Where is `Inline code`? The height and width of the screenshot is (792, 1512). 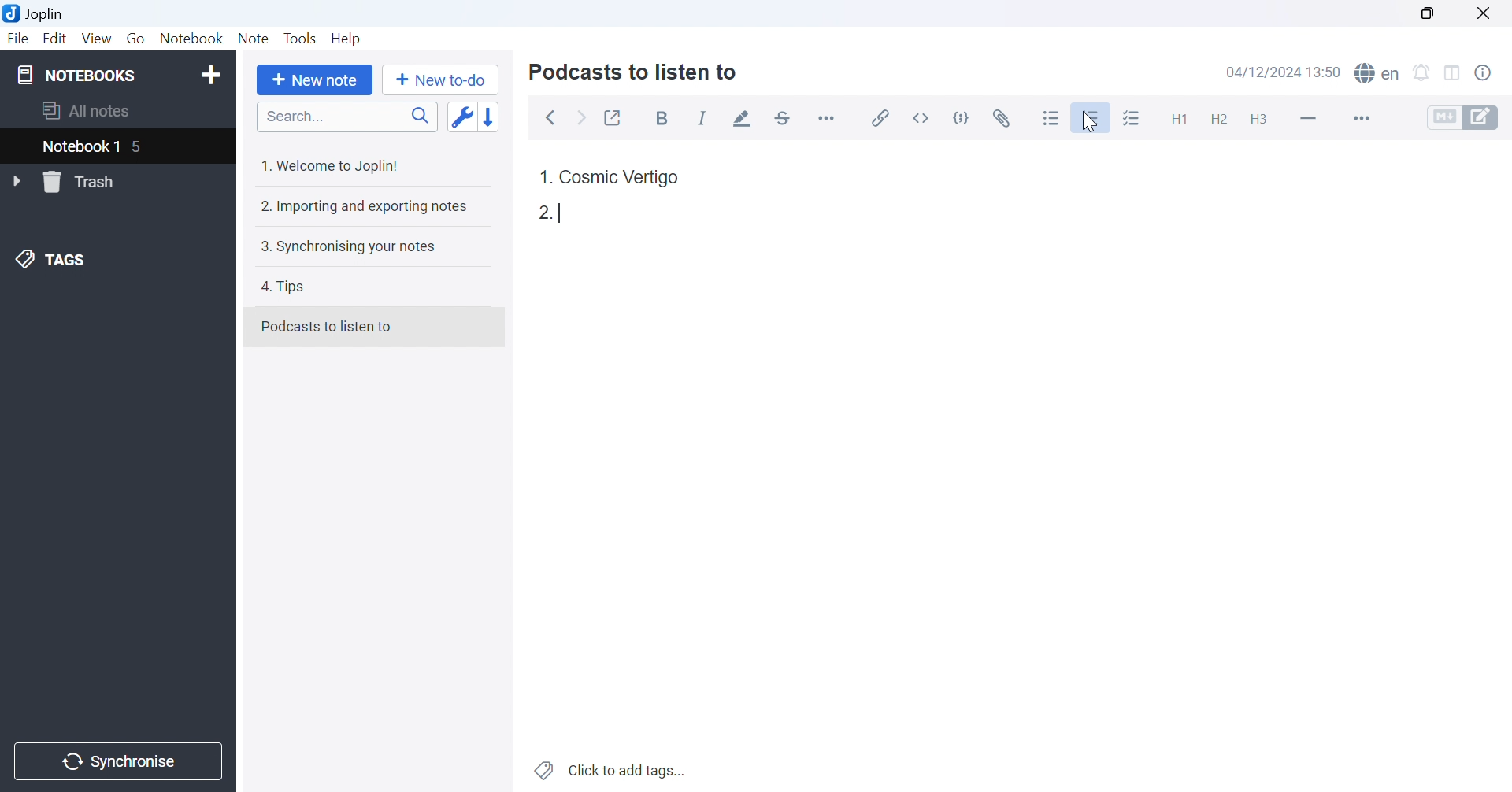
Inline code is located at coordinates (925, 117).